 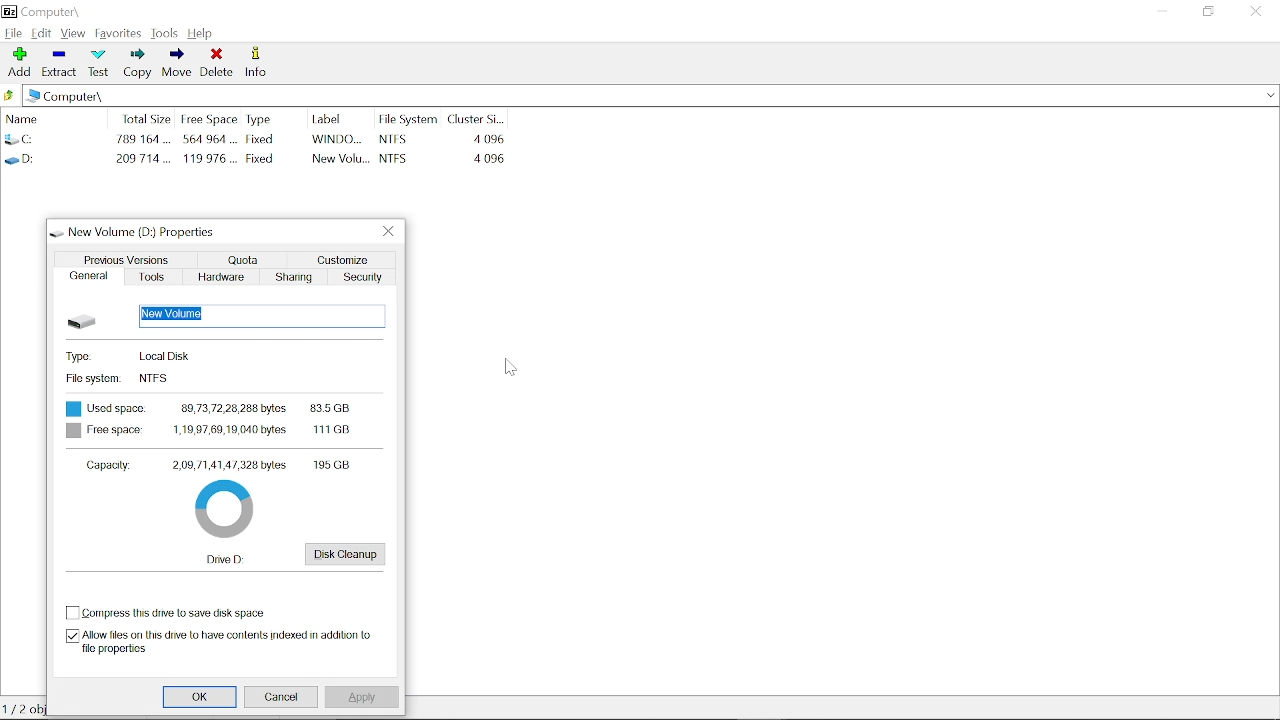 I want to click on label, so click(x=330, y=118).